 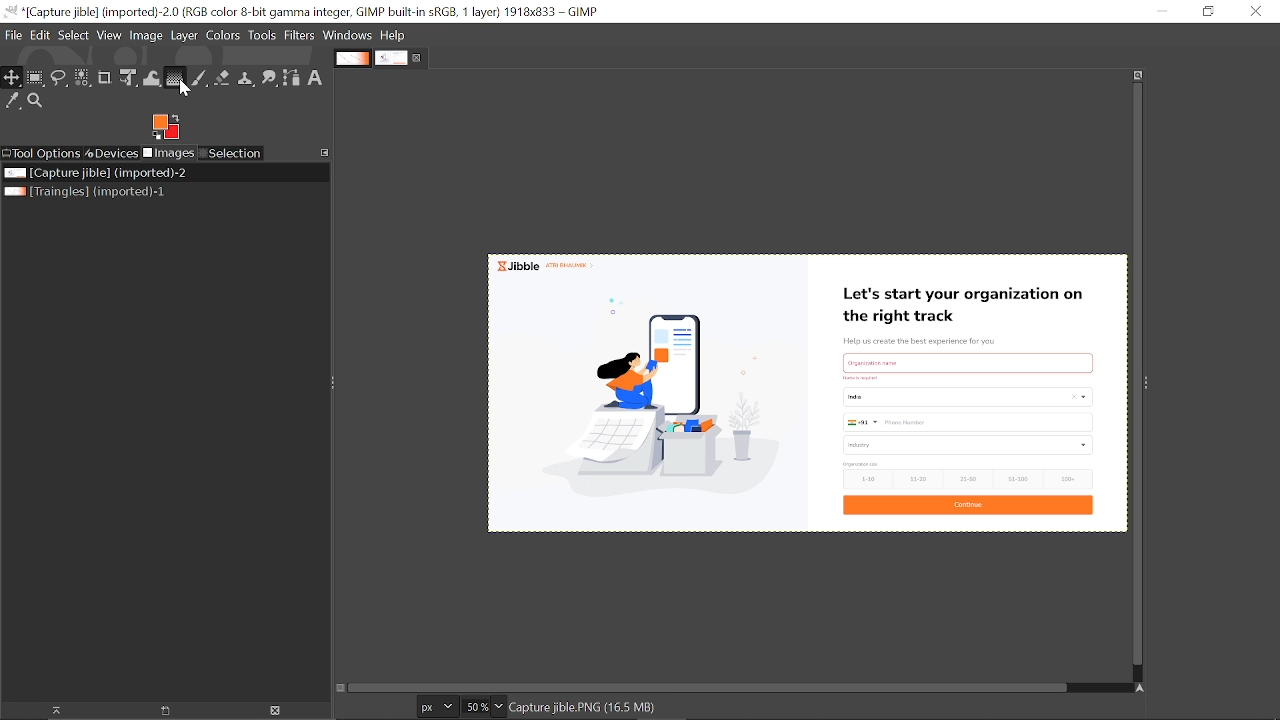 What do you see at coordinates (474, 708) in the screenshot?
I see `Current zoom` at bounding box center [474, 708].